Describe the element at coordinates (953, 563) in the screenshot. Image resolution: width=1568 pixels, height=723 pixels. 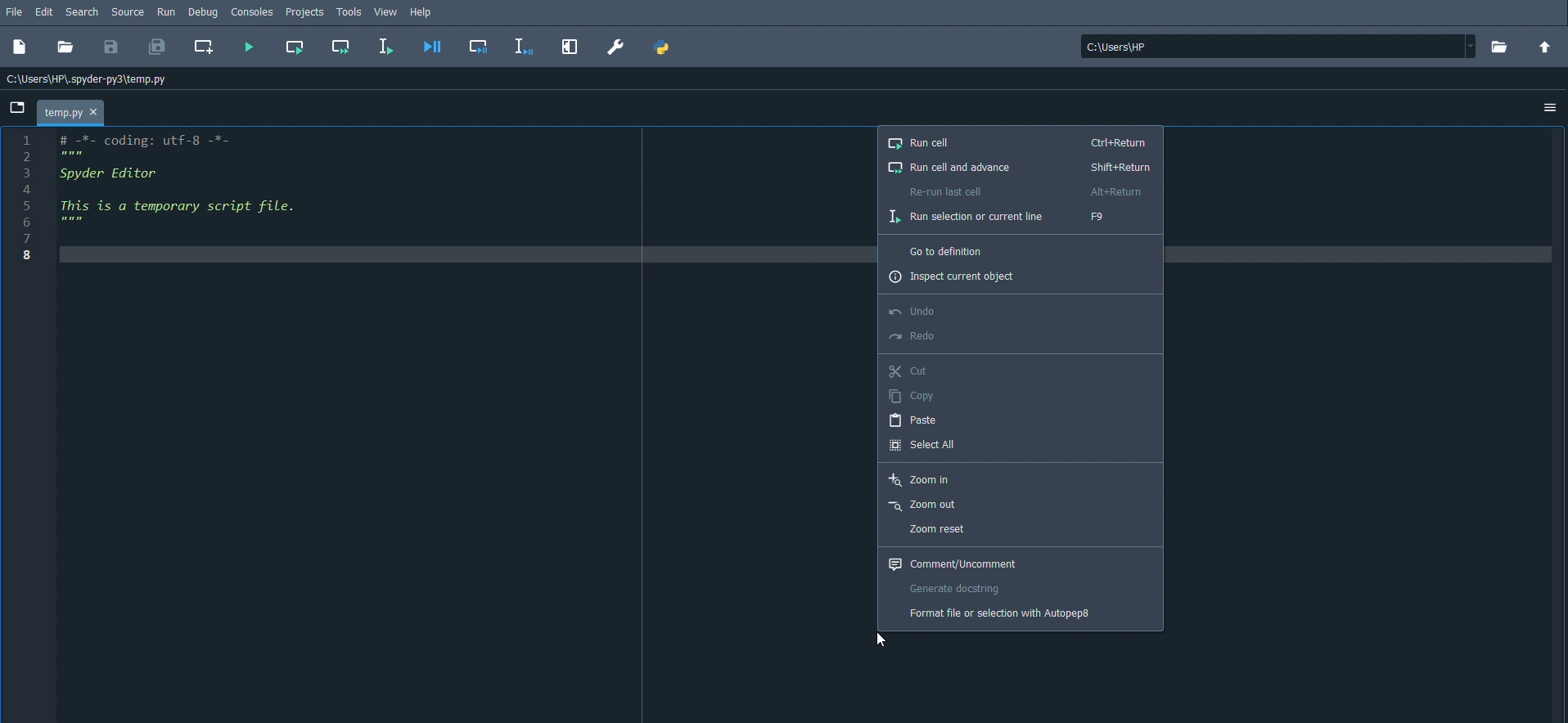
I see `Comment/Uncomment` at that location.